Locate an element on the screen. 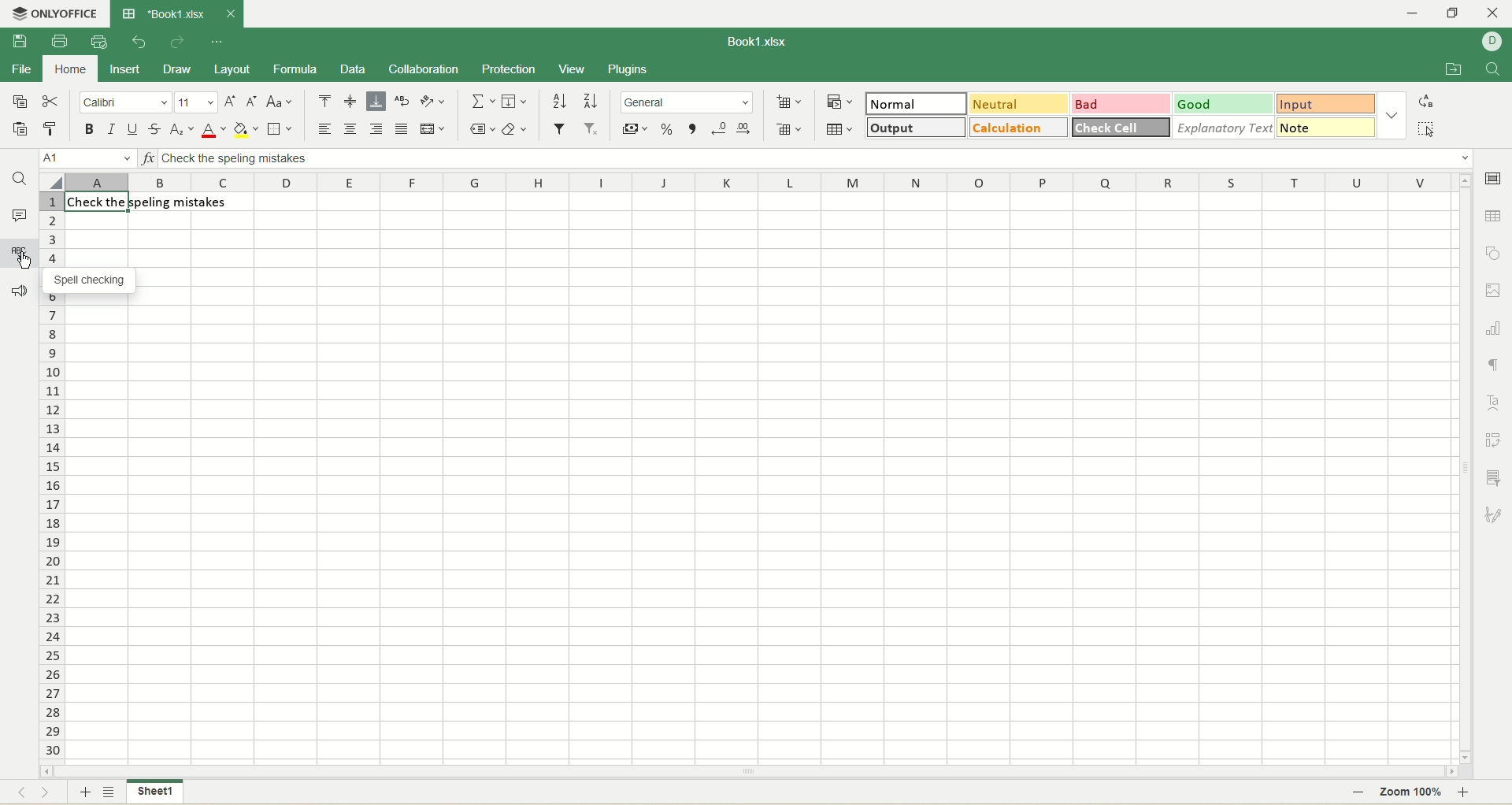 Image resolution: width=1512 pixels, height=805 pixels. vertical scroll bar is located at coordinates (1468, 469).